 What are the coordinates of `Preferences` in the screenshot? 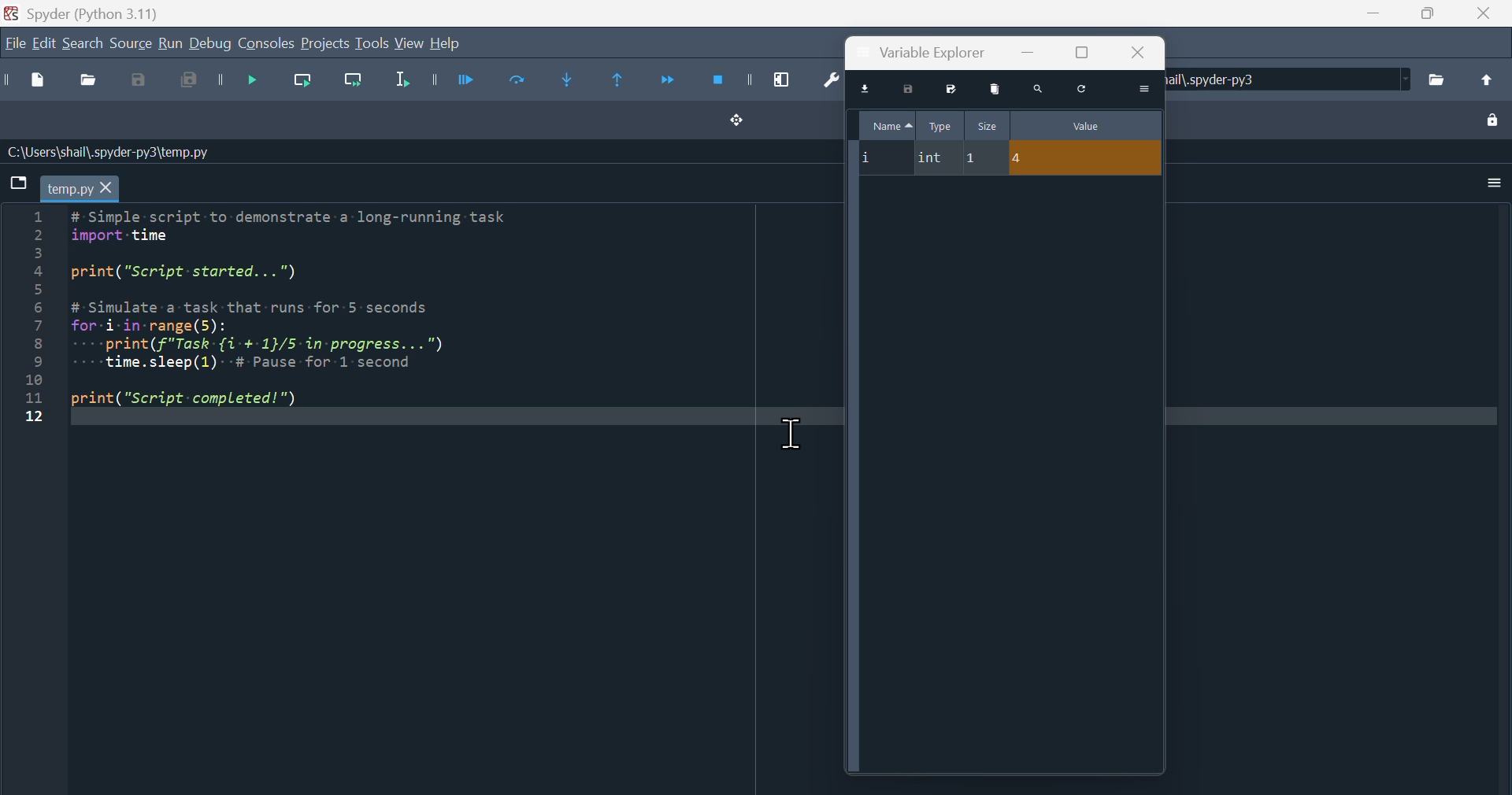 It's located at (827, 81).